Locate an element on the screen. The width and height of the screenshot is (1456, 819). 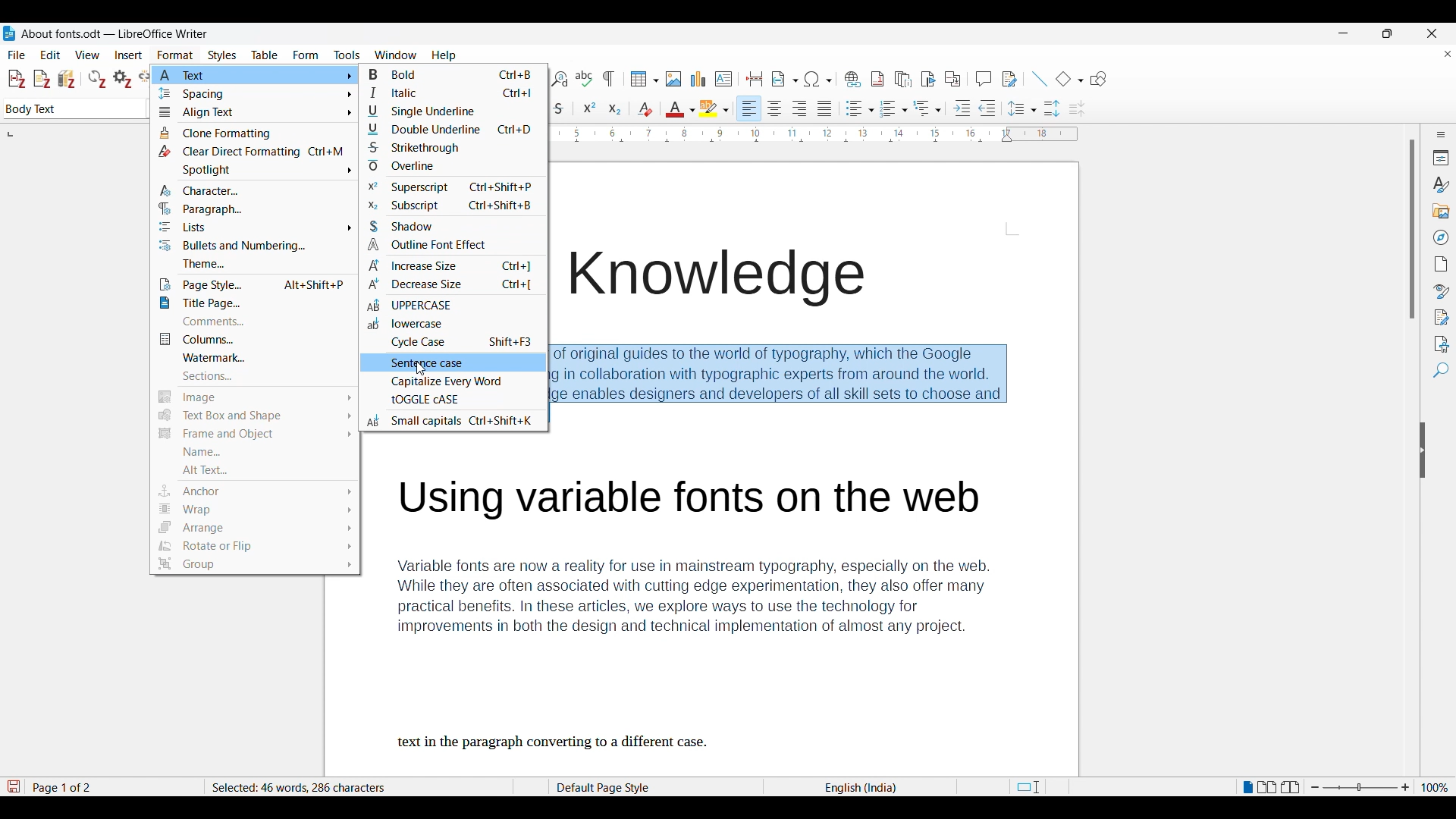
Shadow is located at coordinates (413, 225).